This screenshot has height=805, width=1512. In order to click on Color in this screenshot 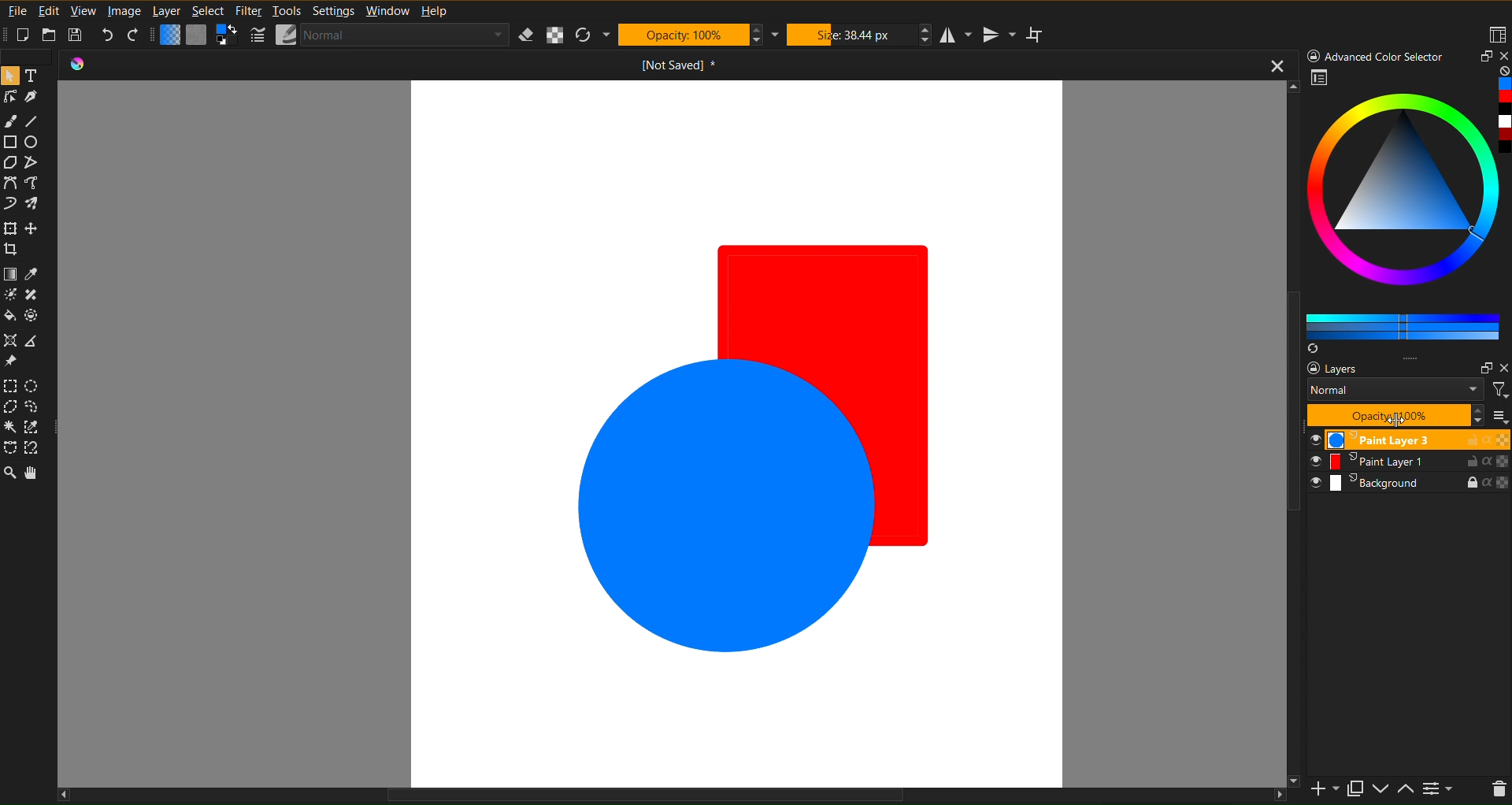, I will do `click(33, 317)`.